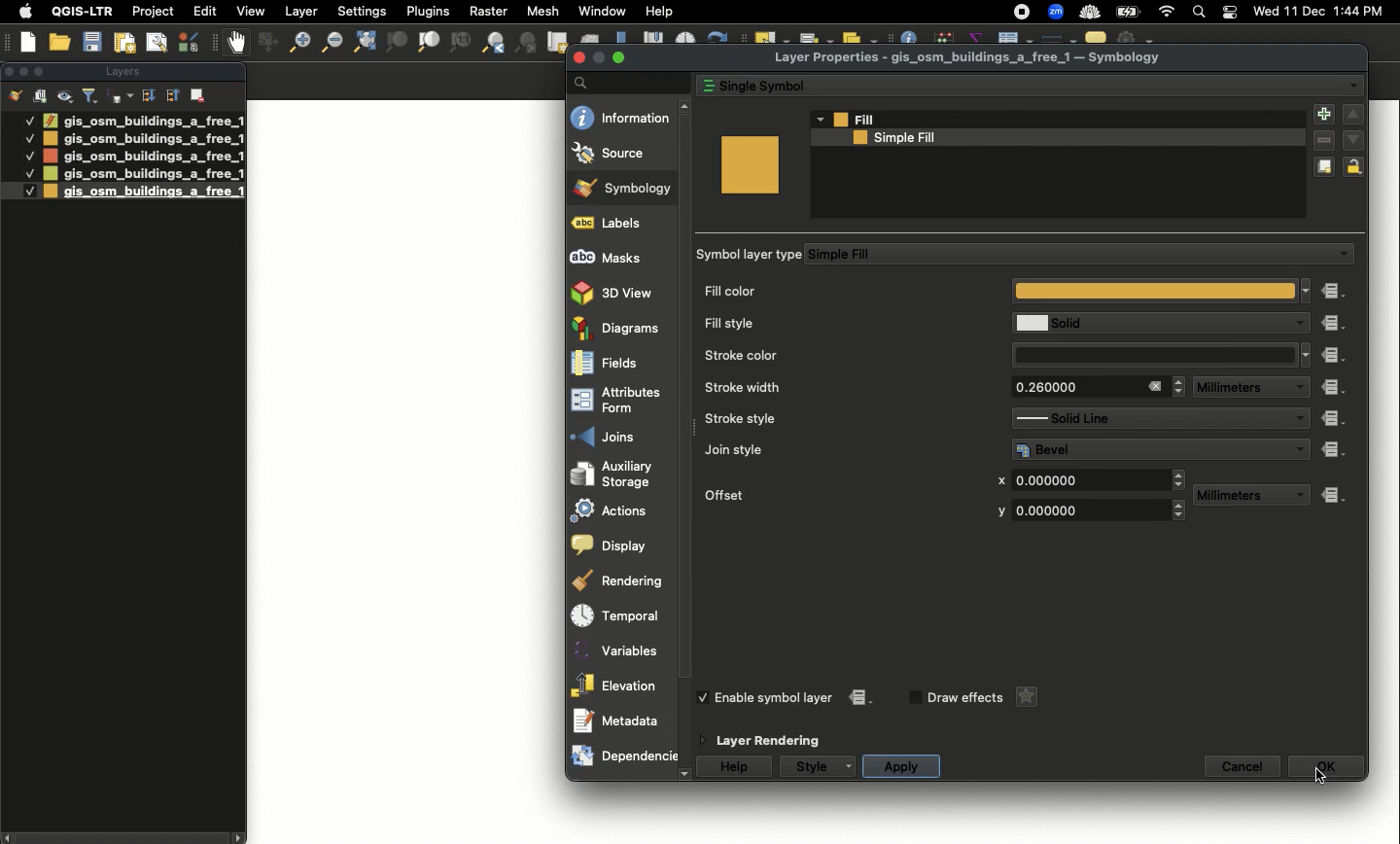 The image size is (1400, 844). Describe the element at coordinates (29, 42) in the screenshot. I see `New` at that location.